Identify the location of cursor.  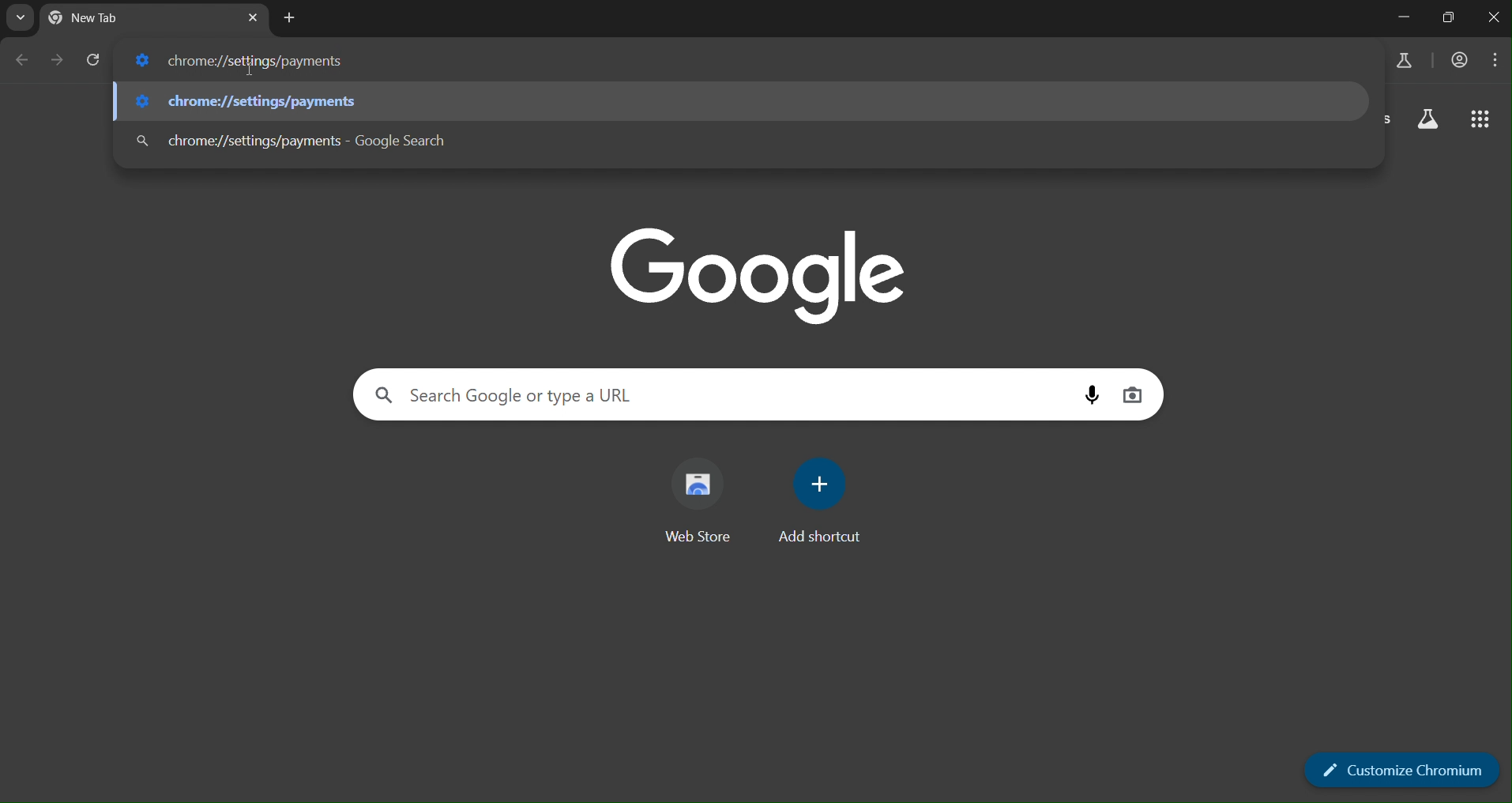
(252, 70).